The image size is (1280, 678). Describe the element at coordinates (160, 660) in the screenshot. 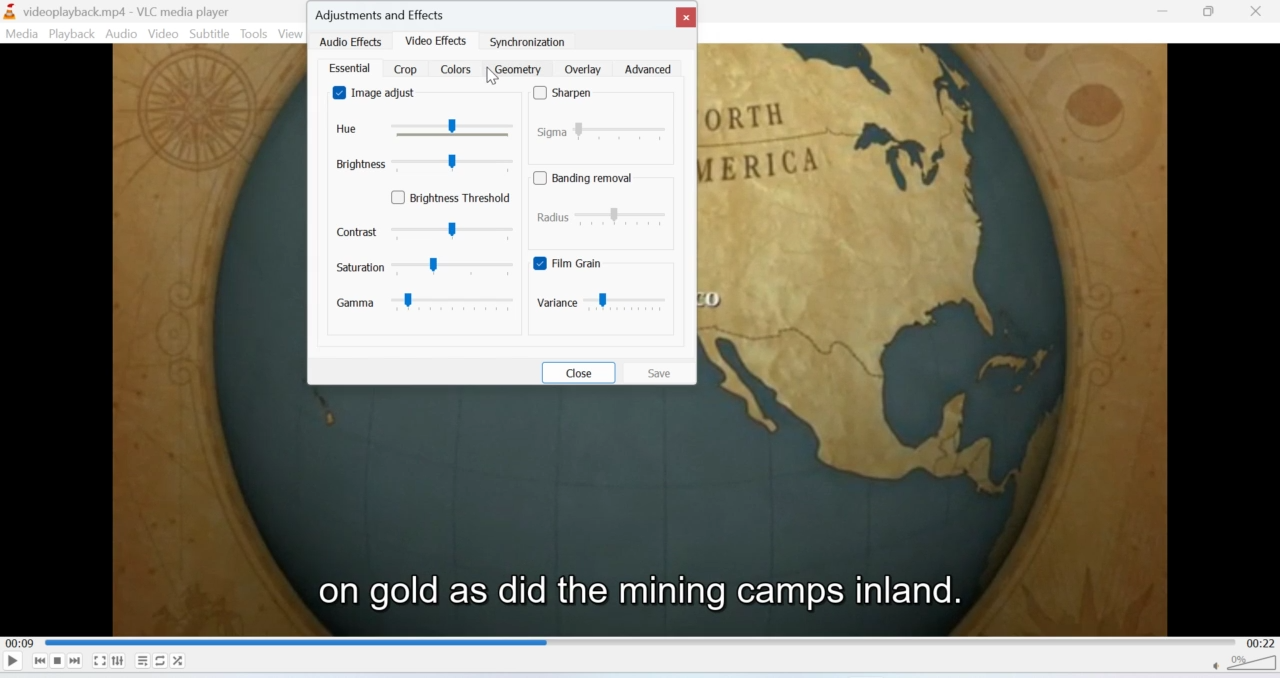

I see `Loop` at that location.